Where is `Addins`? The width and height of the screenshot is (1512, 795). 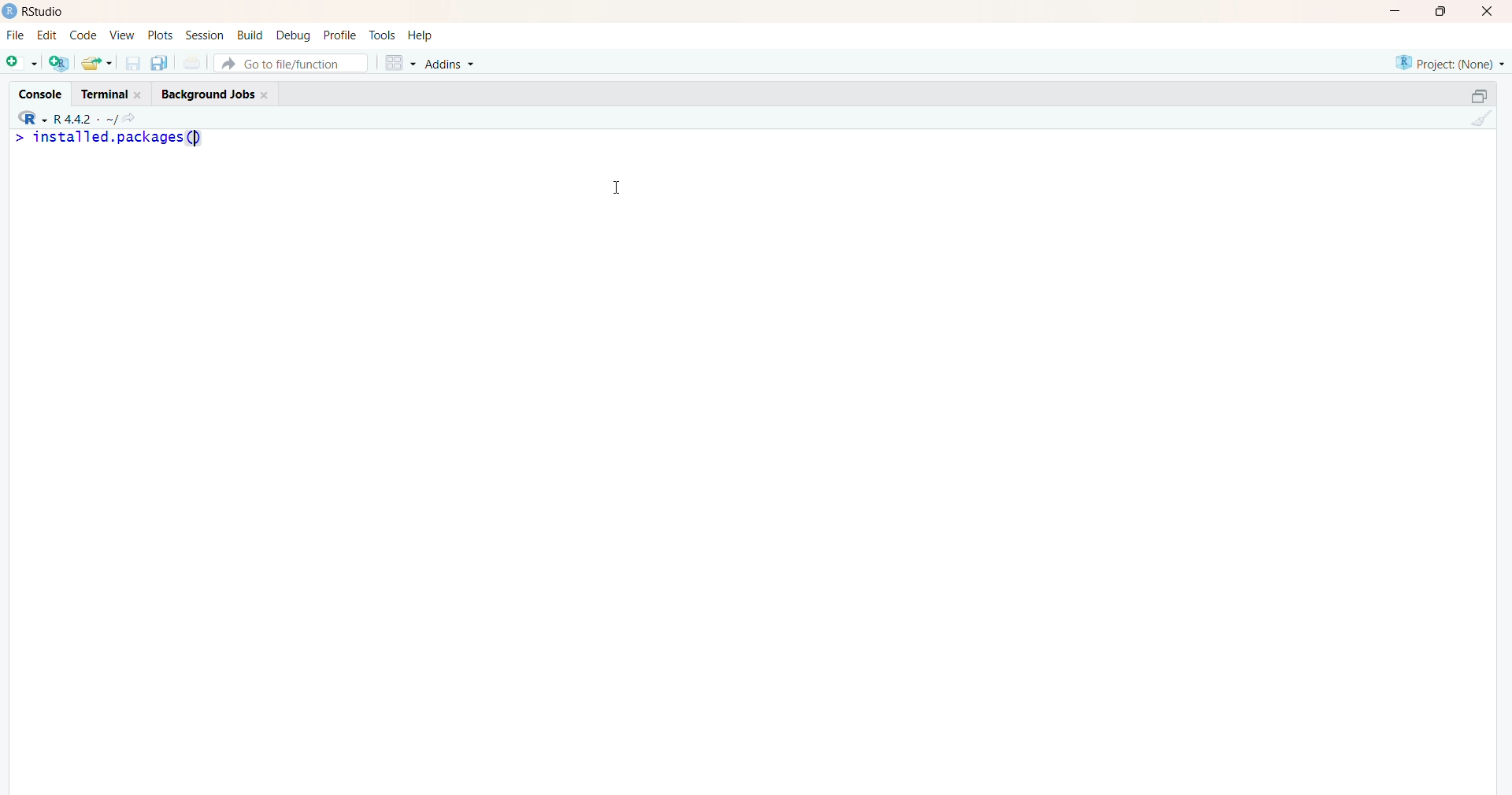
Addins is located at coordinates (453, 65).